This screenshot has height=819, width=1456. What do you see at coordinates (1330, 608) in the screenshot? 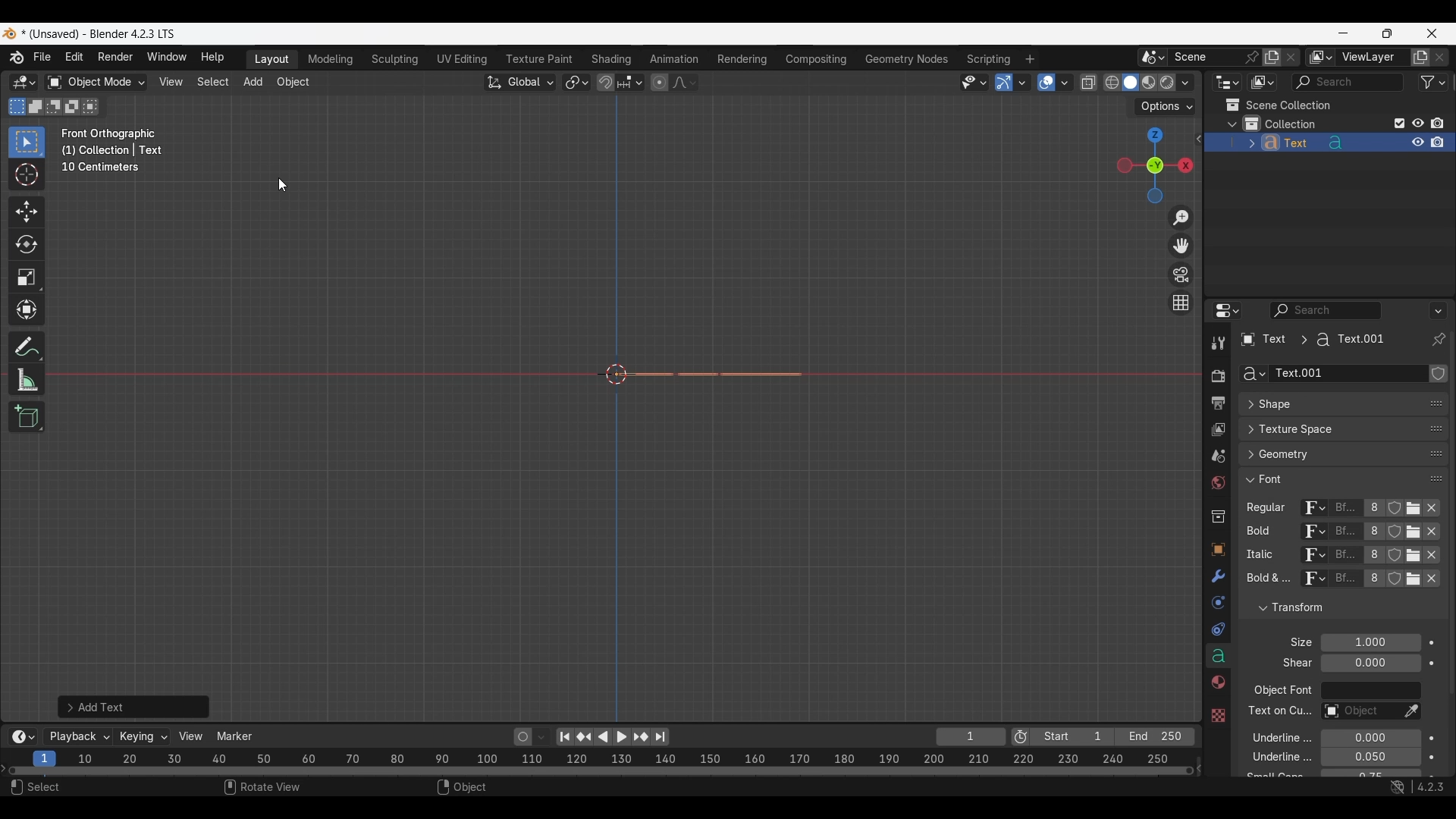
I see `Click to collapse Transform` at bounding box center [1330, 608].